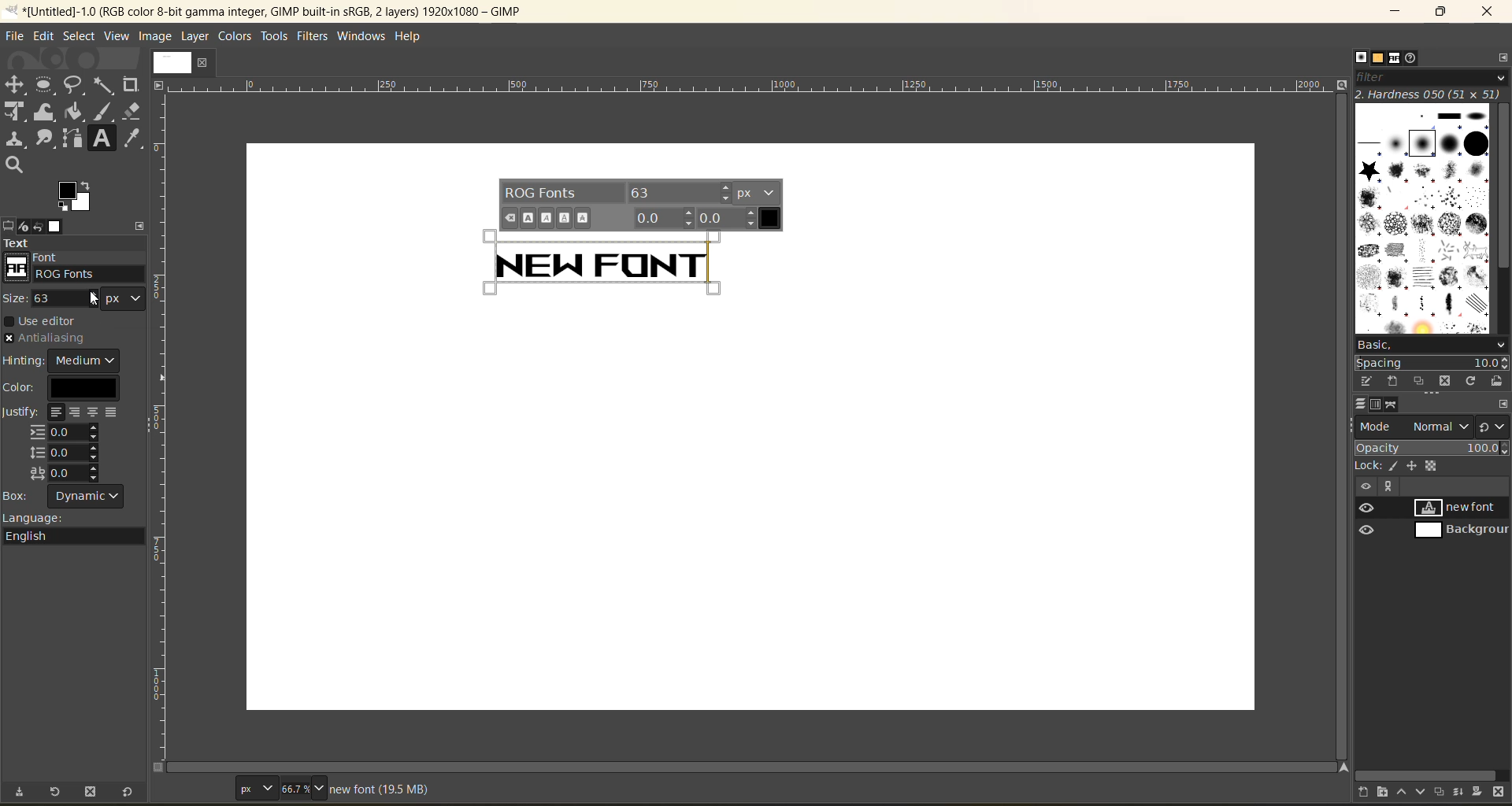  What do you see at coordinates (65, 361) in the screenshot?
I see `hinting` at bounding box center [65, 361].